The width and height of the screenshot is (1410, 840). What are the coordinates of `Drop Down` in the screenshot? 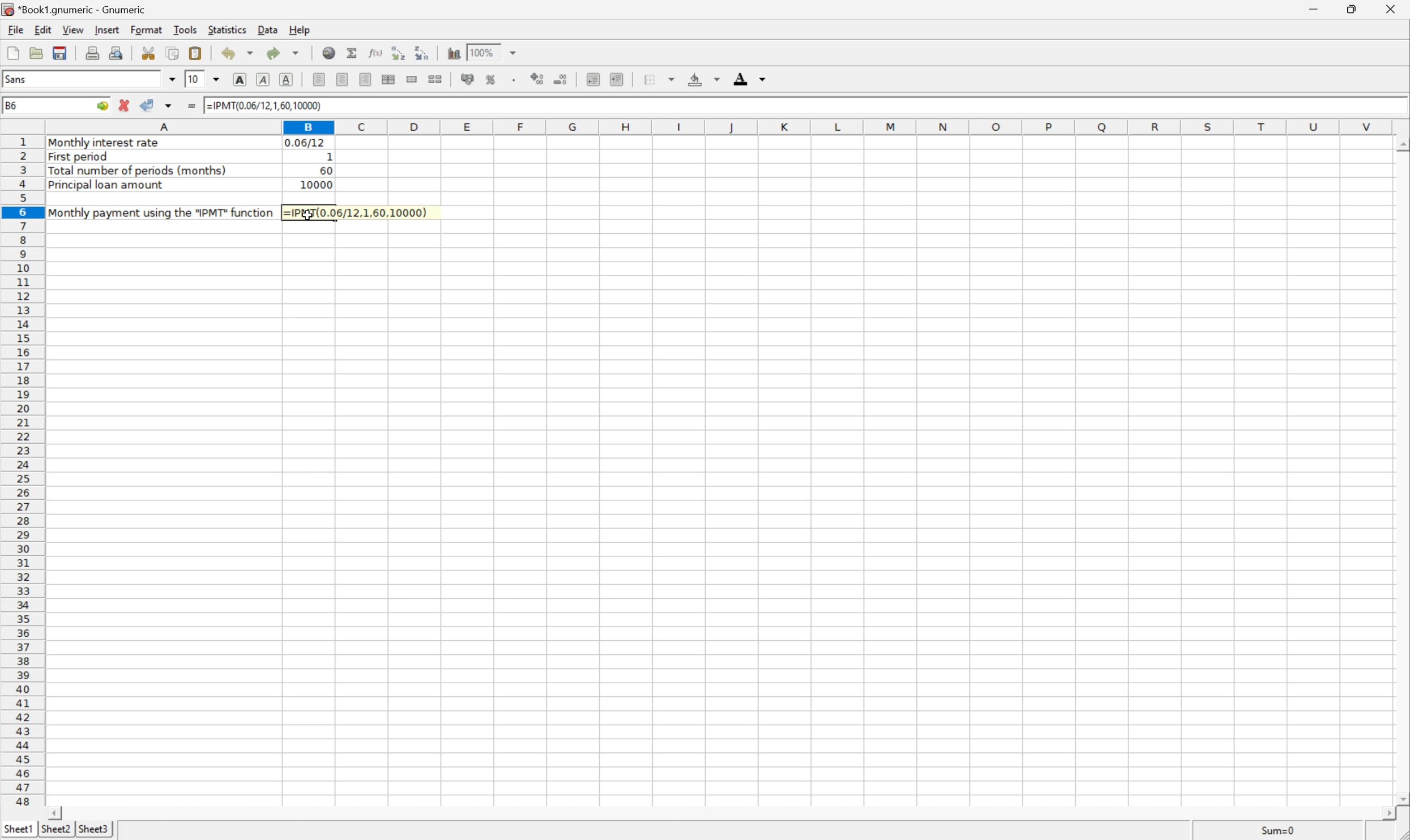 It's located at (515, 52).